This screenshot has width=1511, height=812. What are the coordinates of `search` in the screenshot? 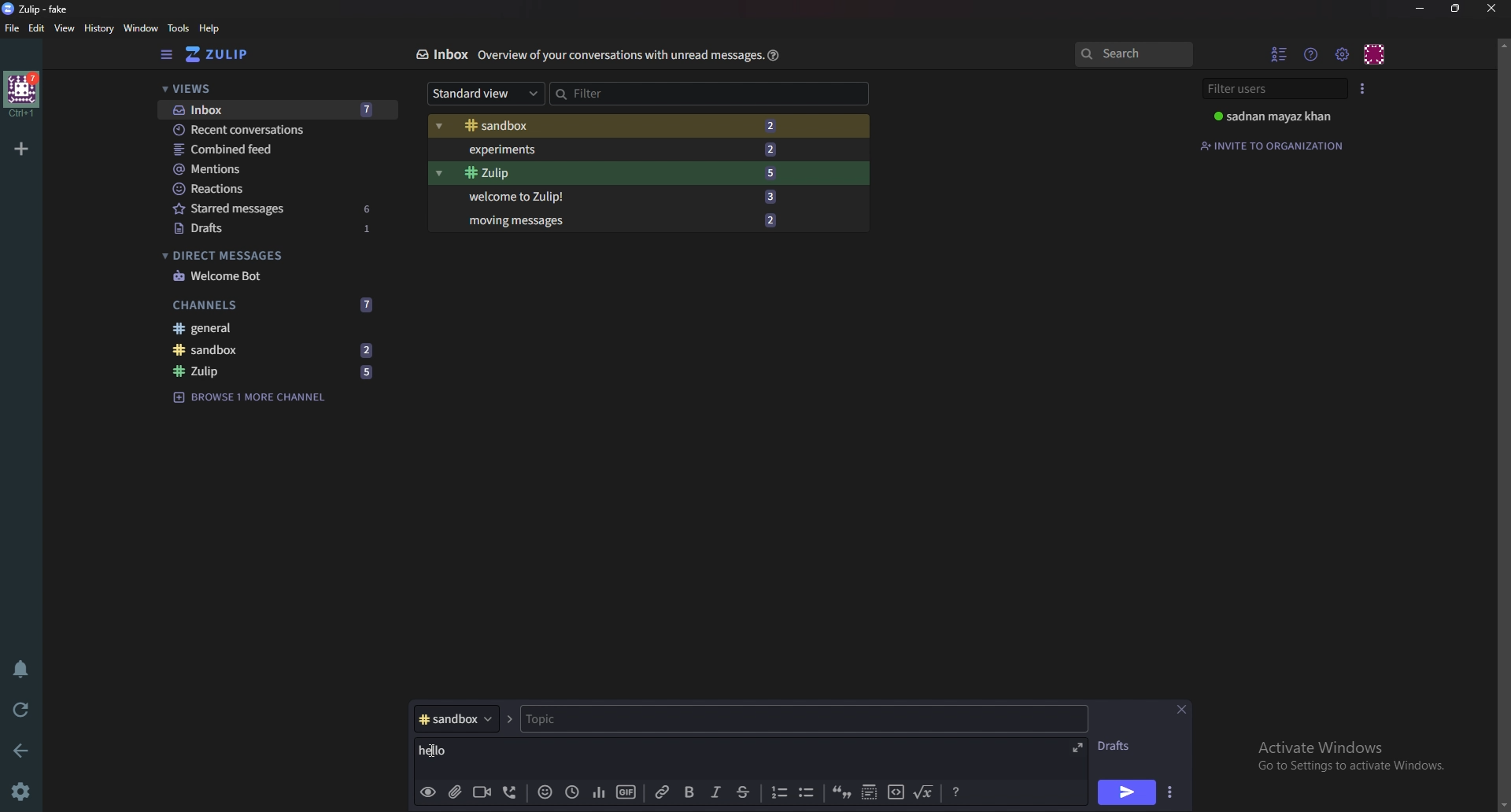 It's located at (1137, 54).